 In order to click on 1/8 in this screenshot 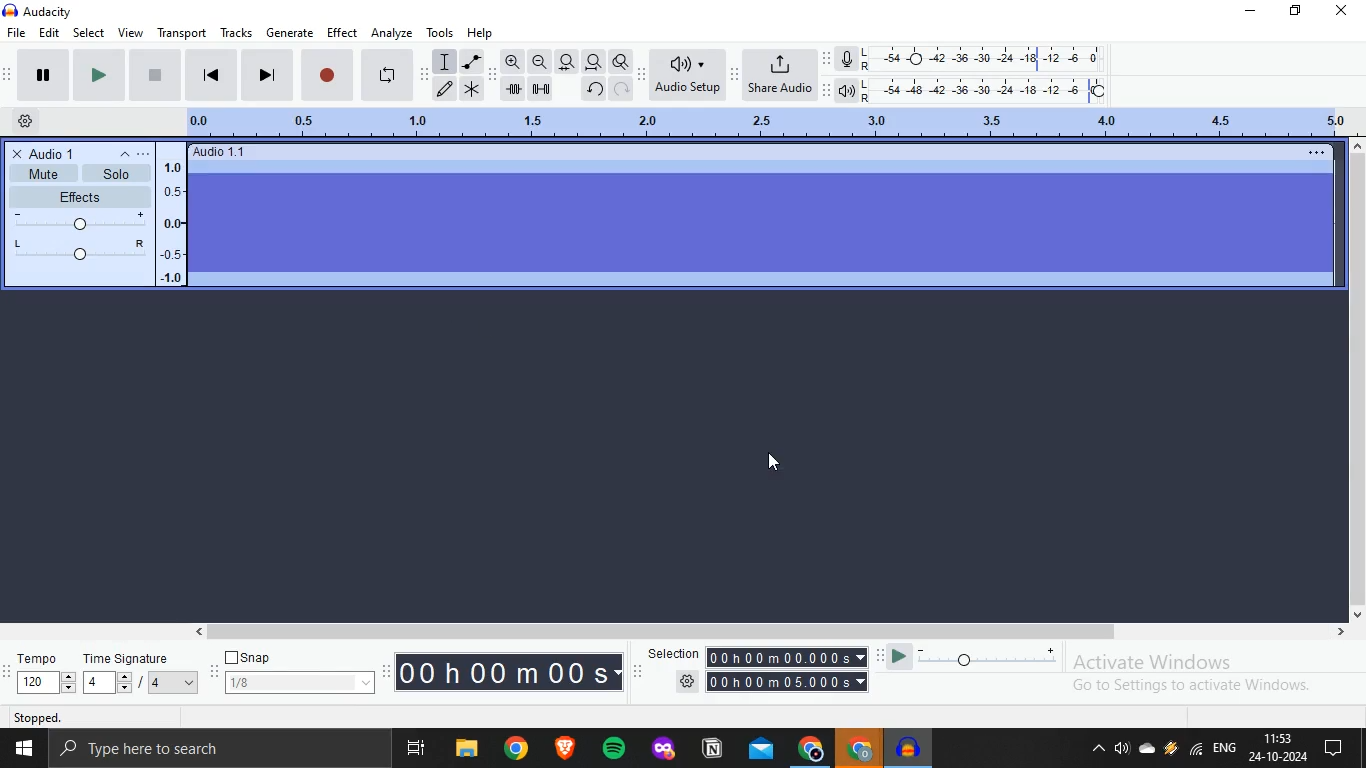, I will do `click(298, 683)`.